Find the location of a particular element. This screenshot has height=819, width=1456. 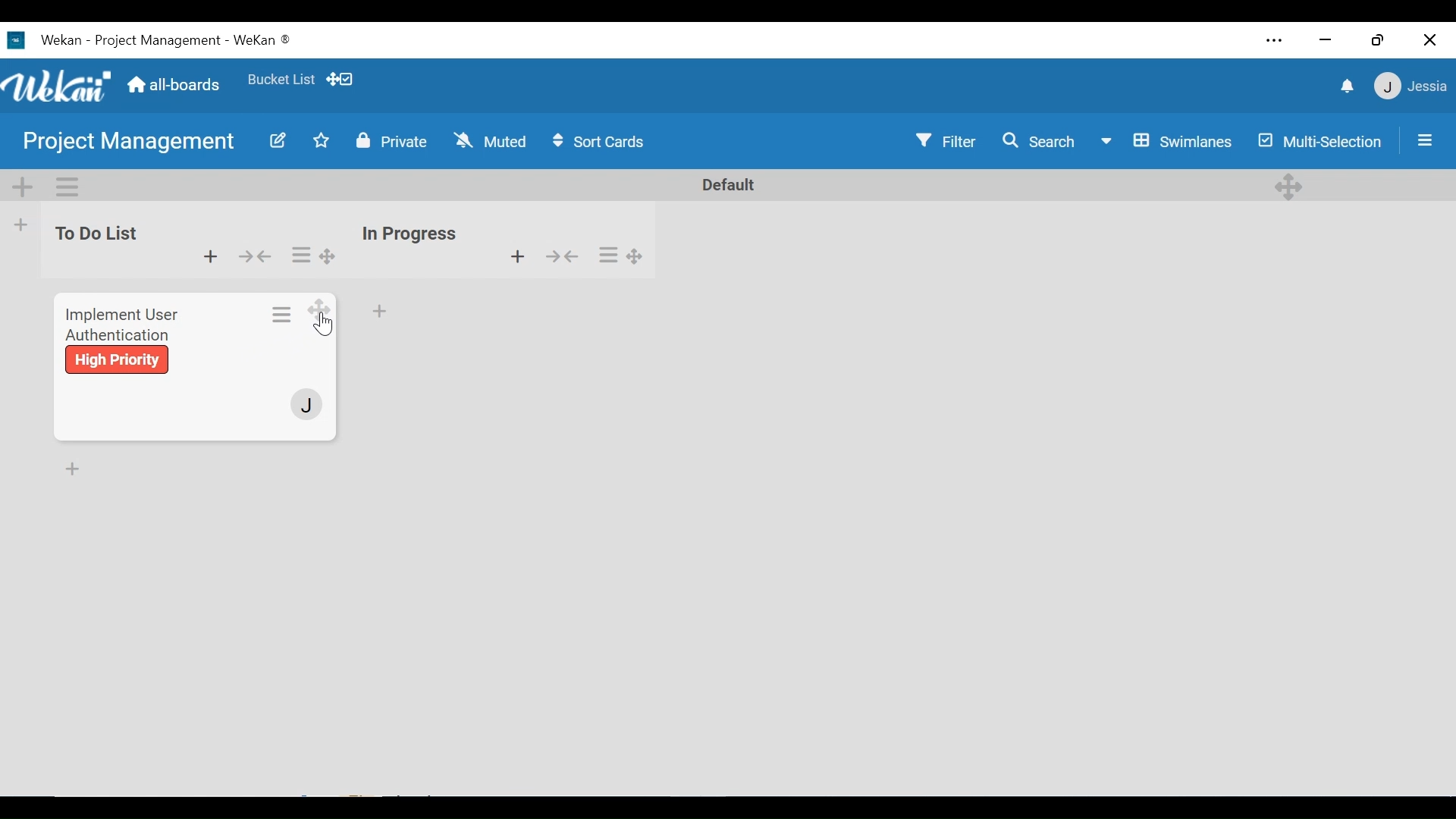

member menu is located at coordinates (1410, 86).